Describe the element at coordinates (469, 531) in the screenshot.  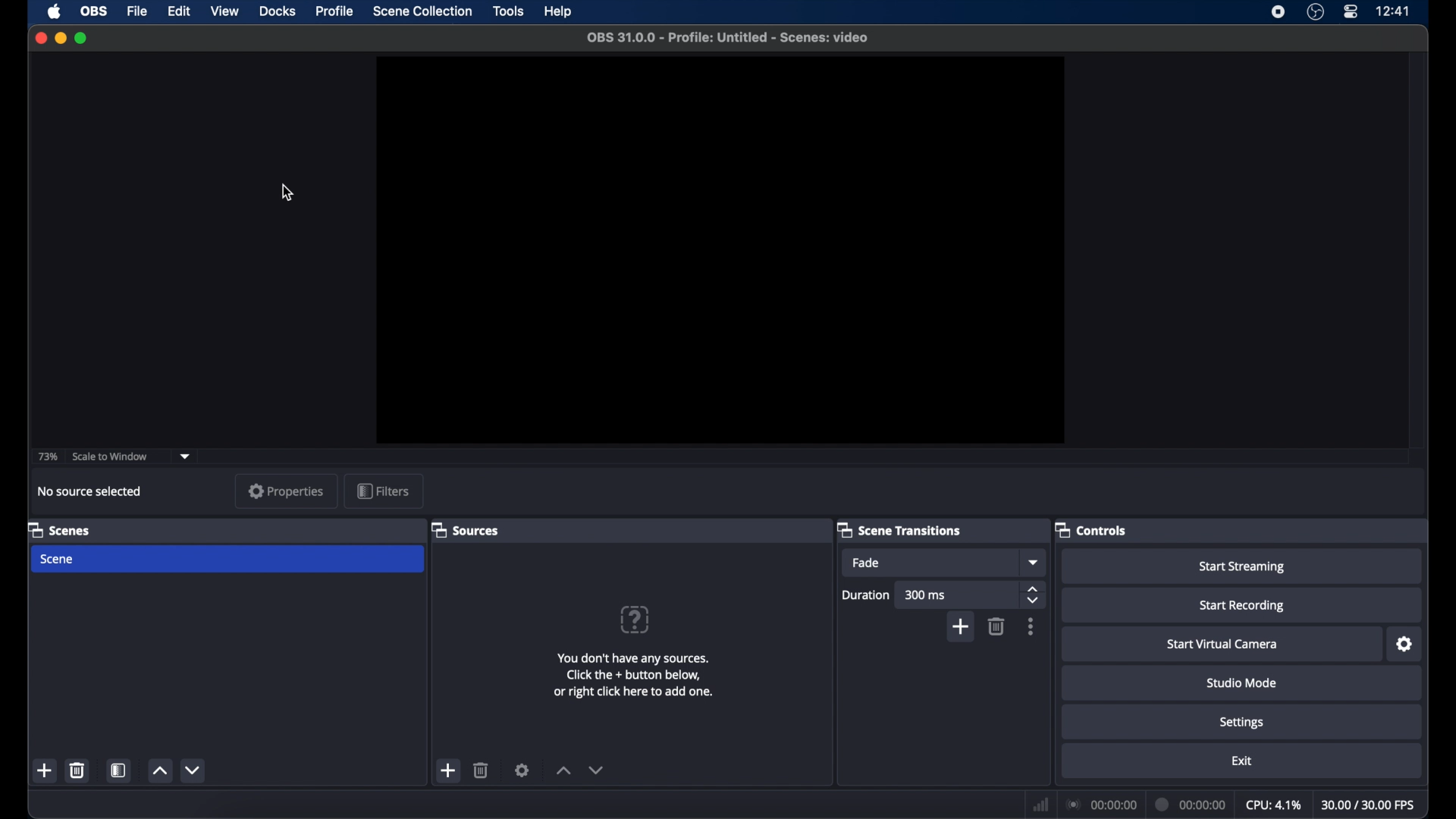
I see `sources` at that location.